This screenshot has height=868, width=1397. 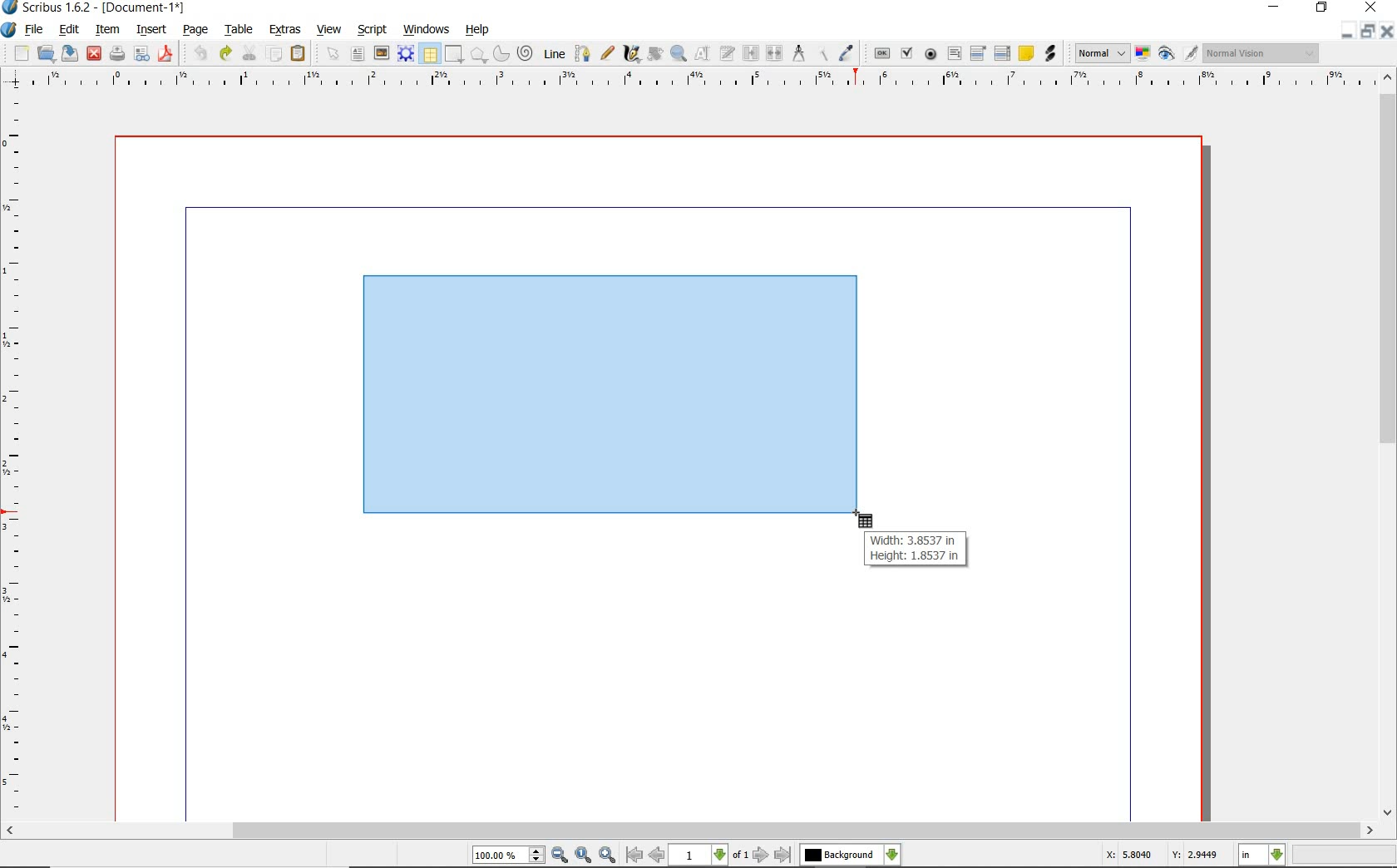 What do you see at coordinates (656, 856) in the screenshot?
I see `go to previous page` at bounding box center [656, 856].